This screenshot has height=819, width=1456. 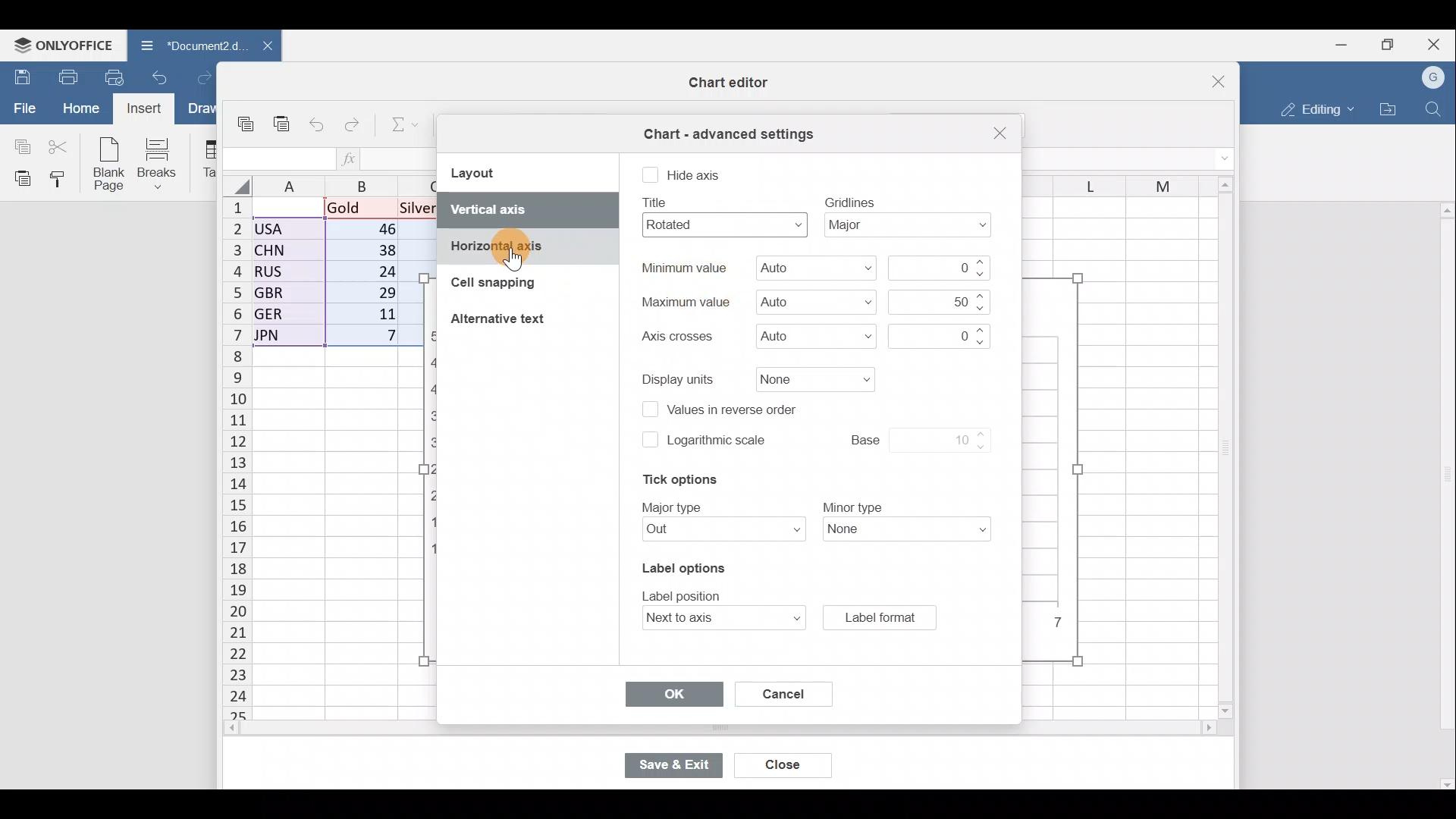 What do you see at coordinates (526, 249) in the screenshot?
I see `Horizontal axis` at bounding box center [526, 249].